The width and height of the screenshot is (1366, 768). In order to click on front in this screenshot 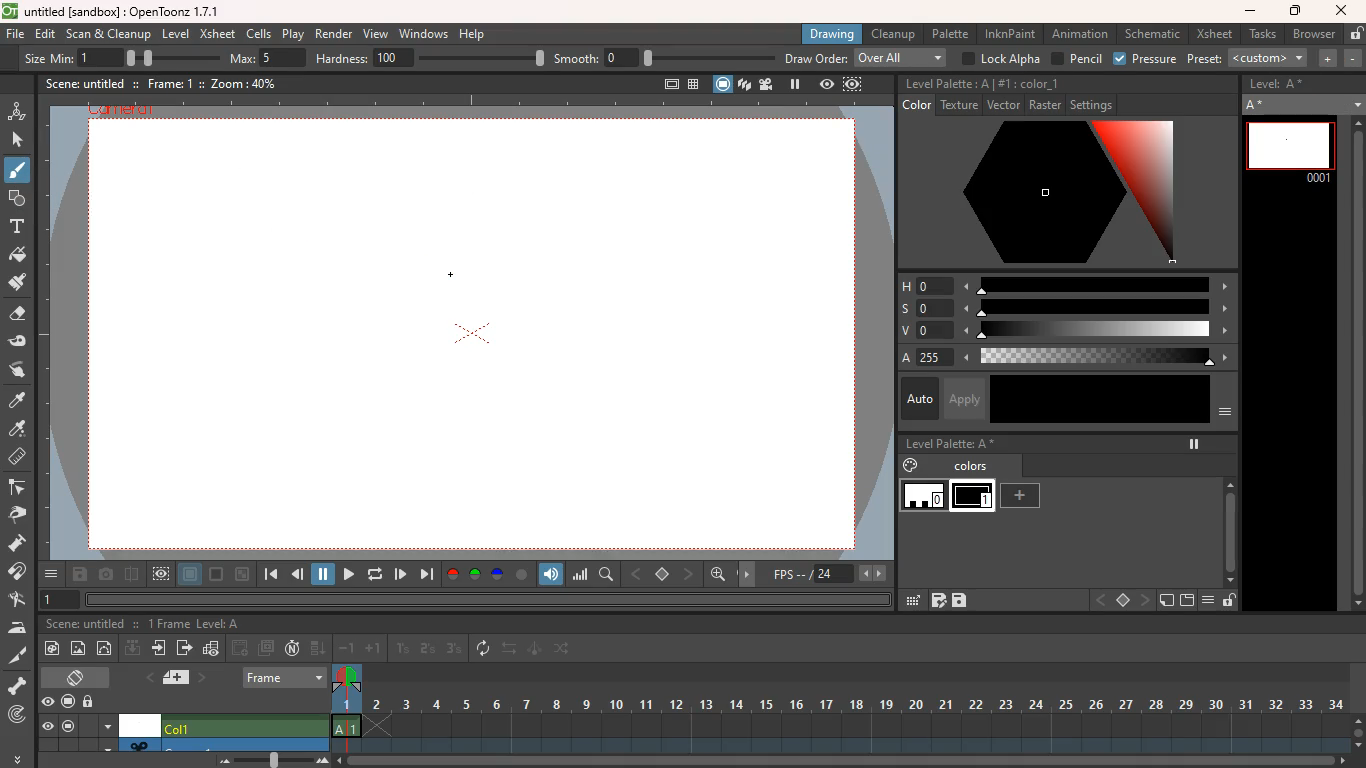, I will do `click(1147, 600)`.